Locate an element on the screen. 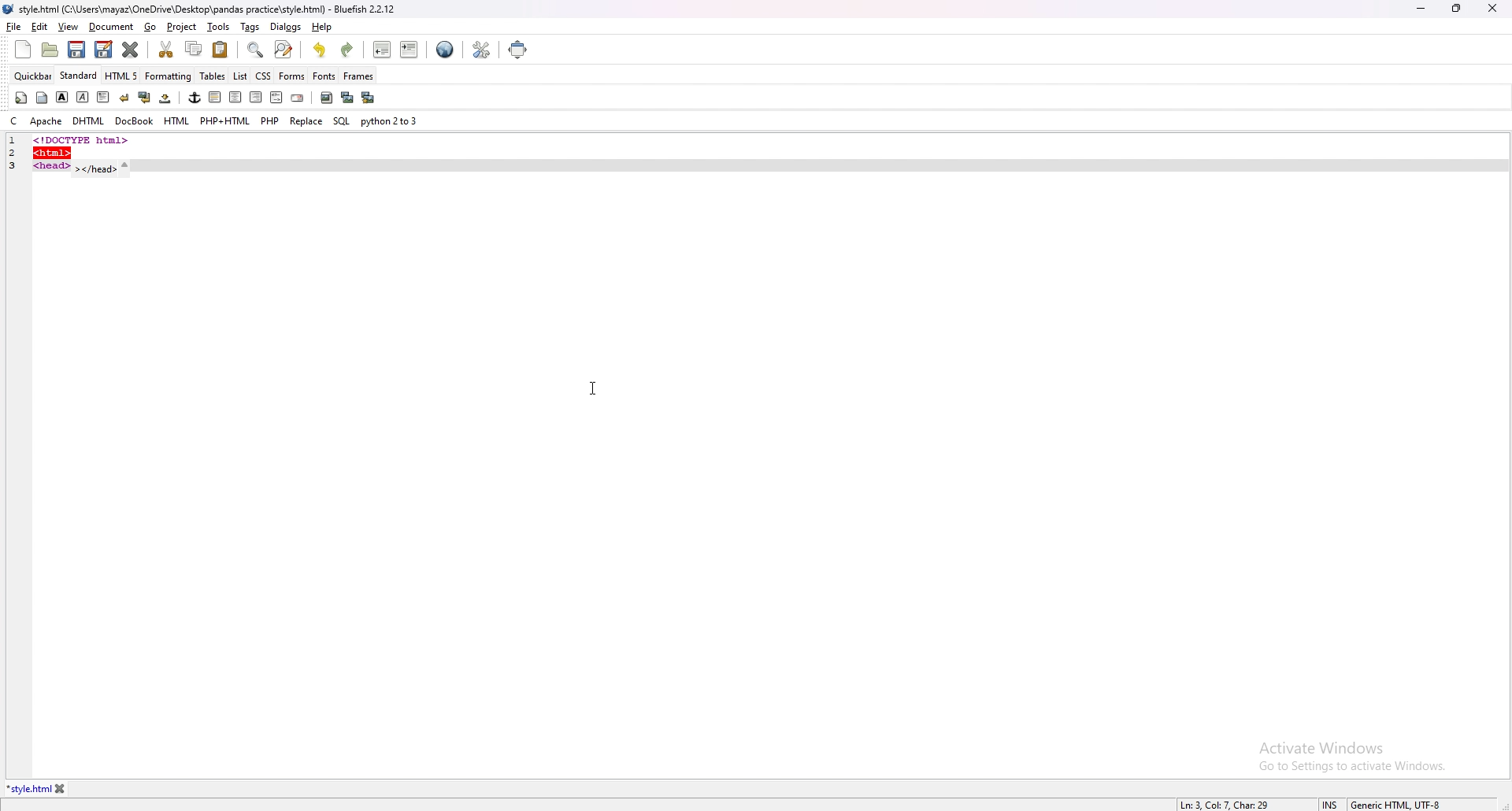  file name is located at coordinates (202, 10).